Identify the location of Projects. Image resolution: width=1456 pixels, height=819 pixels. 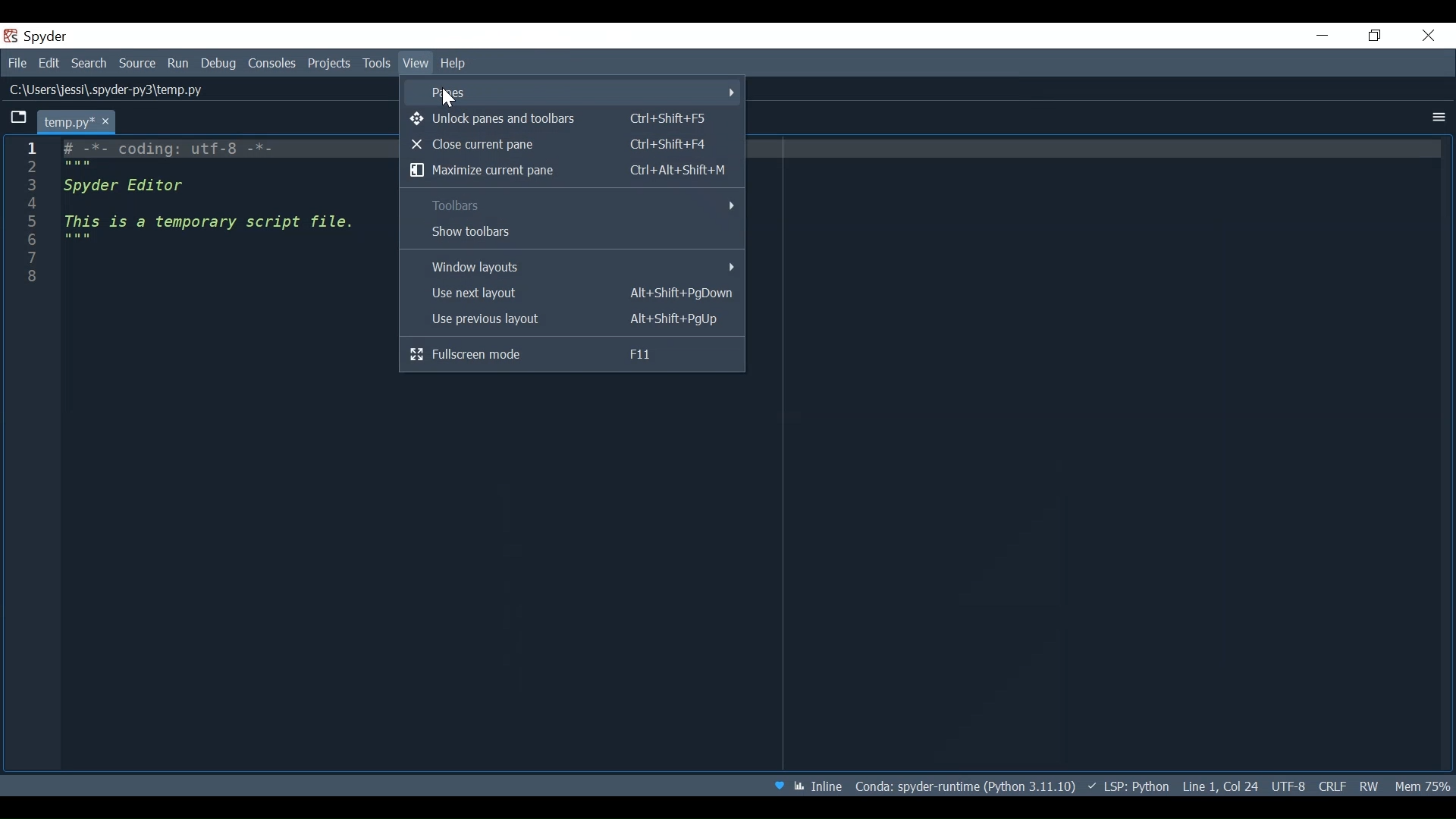
(329, 65).